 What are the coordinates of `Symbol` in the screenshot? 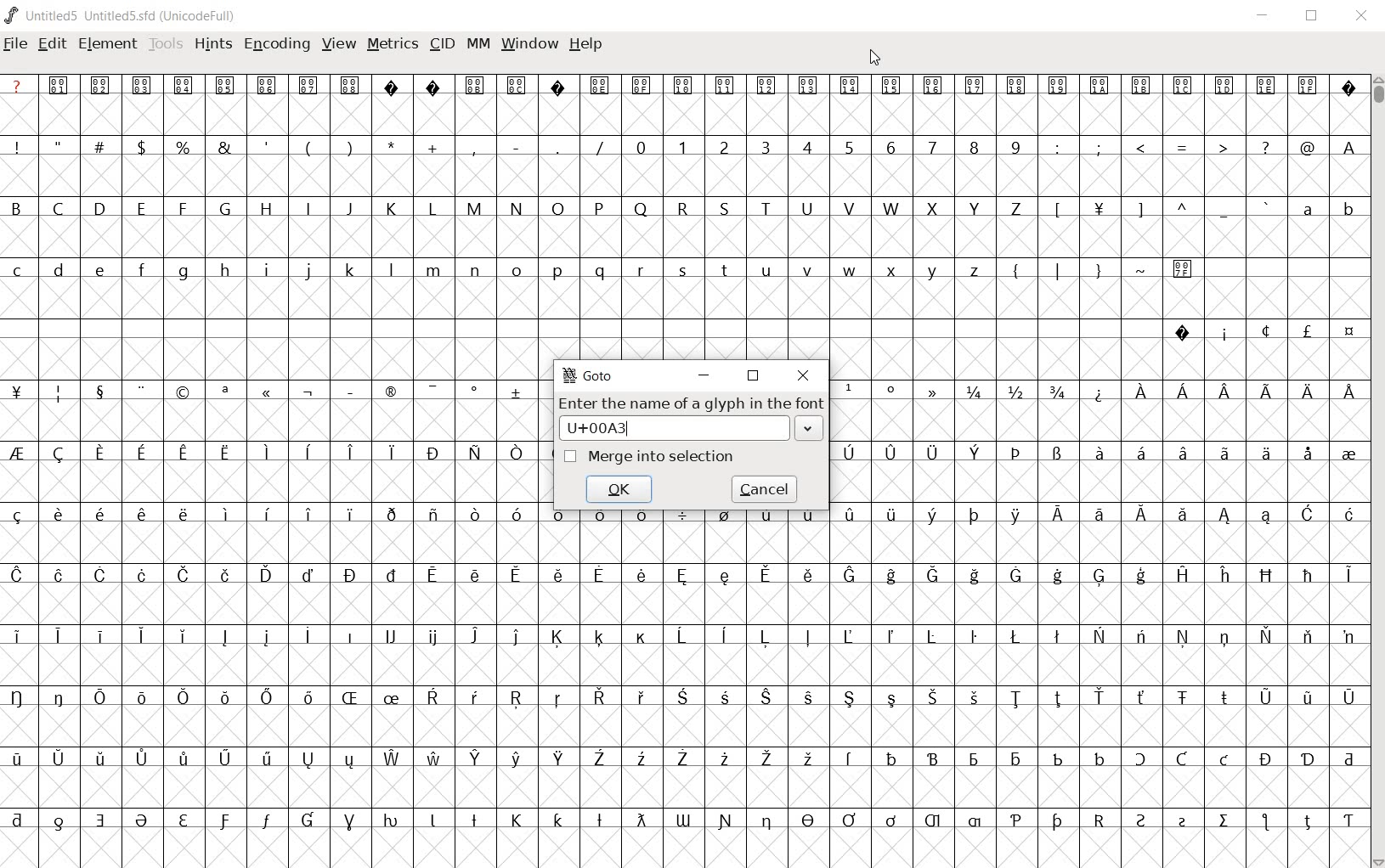 It's located at (1309, 759).